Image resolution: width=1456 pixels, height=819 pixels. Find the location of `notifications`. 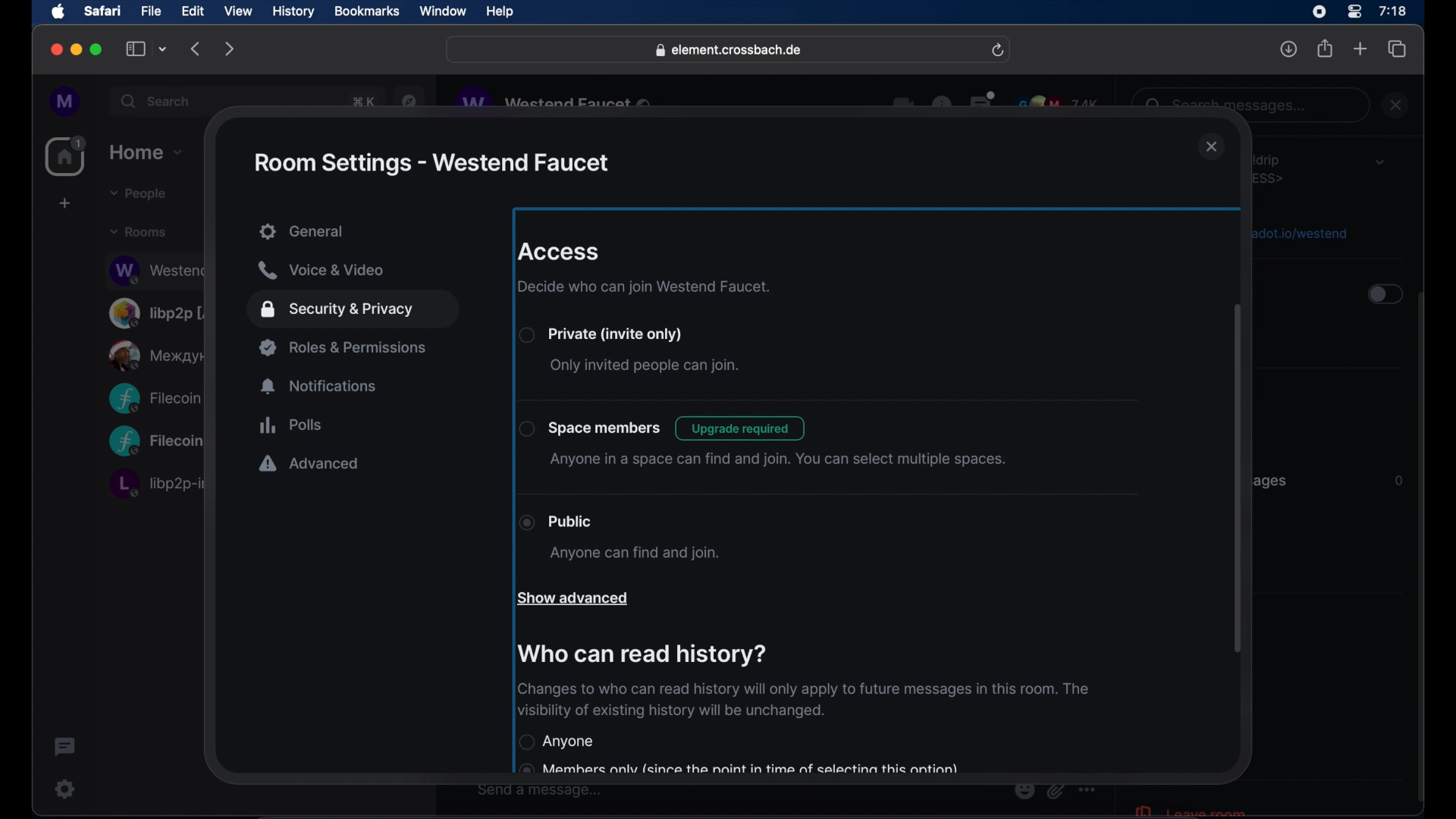

notifications is located at coordinates (320, 387).